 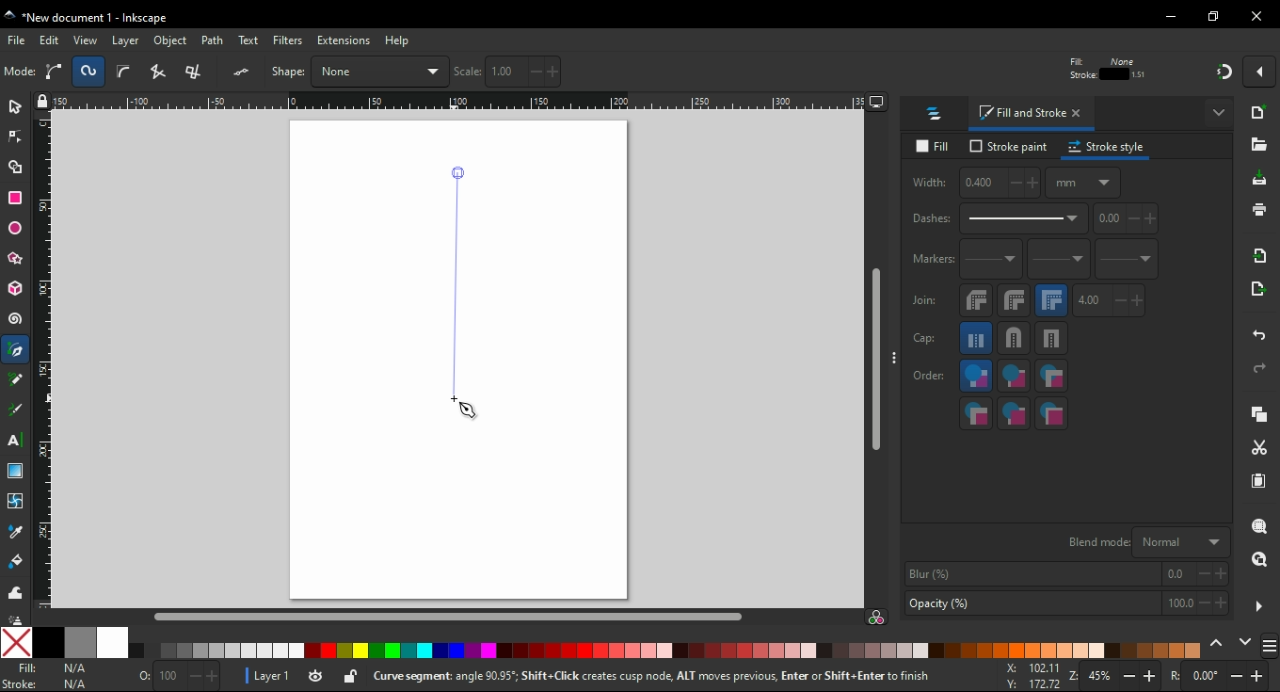 I want to click on width, so click(x=974, y=183).